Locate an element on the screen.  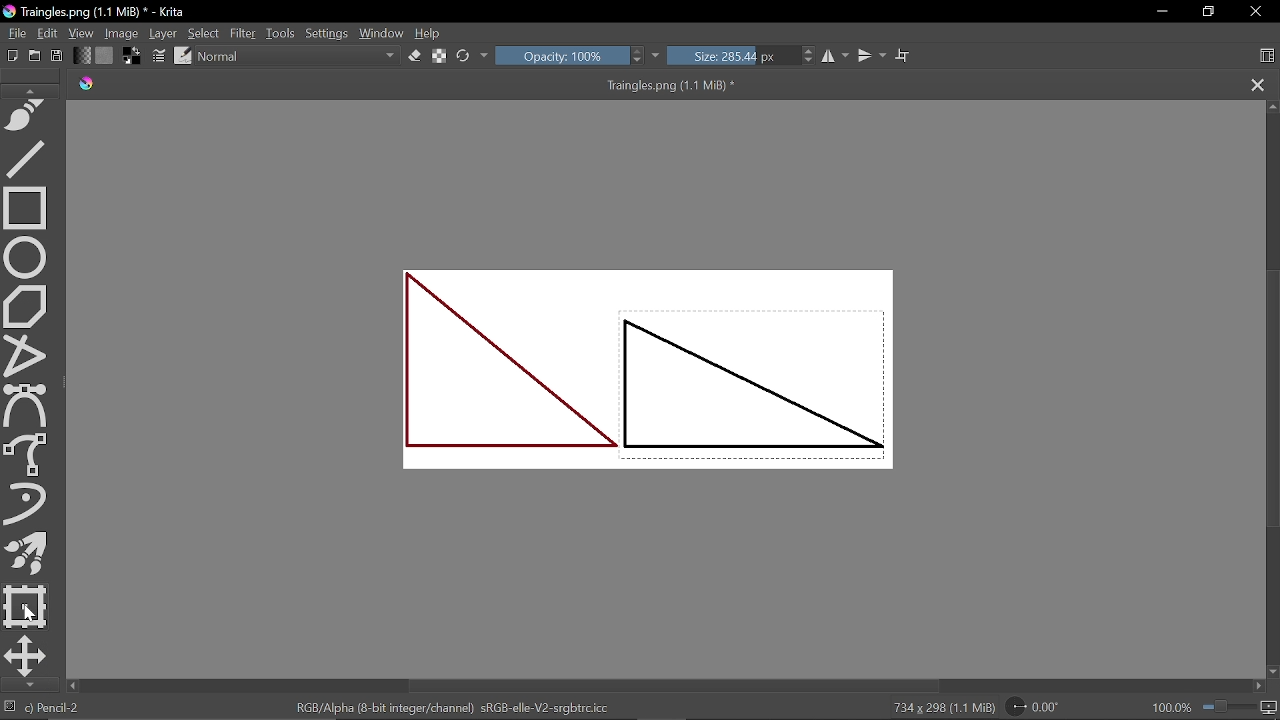
Rotate is located at coordinates (1042, 706).